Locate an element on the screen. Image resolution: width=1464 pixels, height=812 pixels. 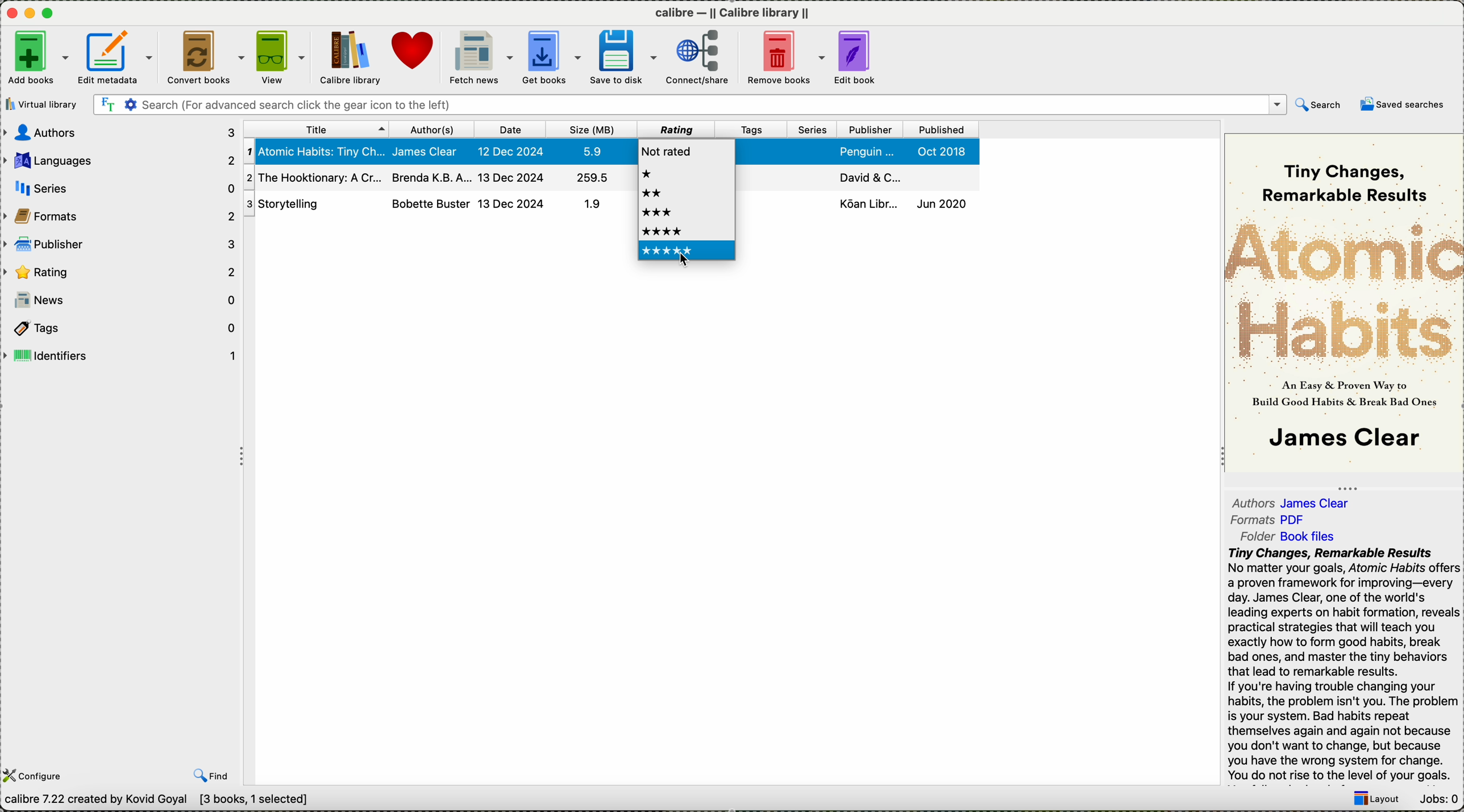
publisher is located at coordinates (119, 244).